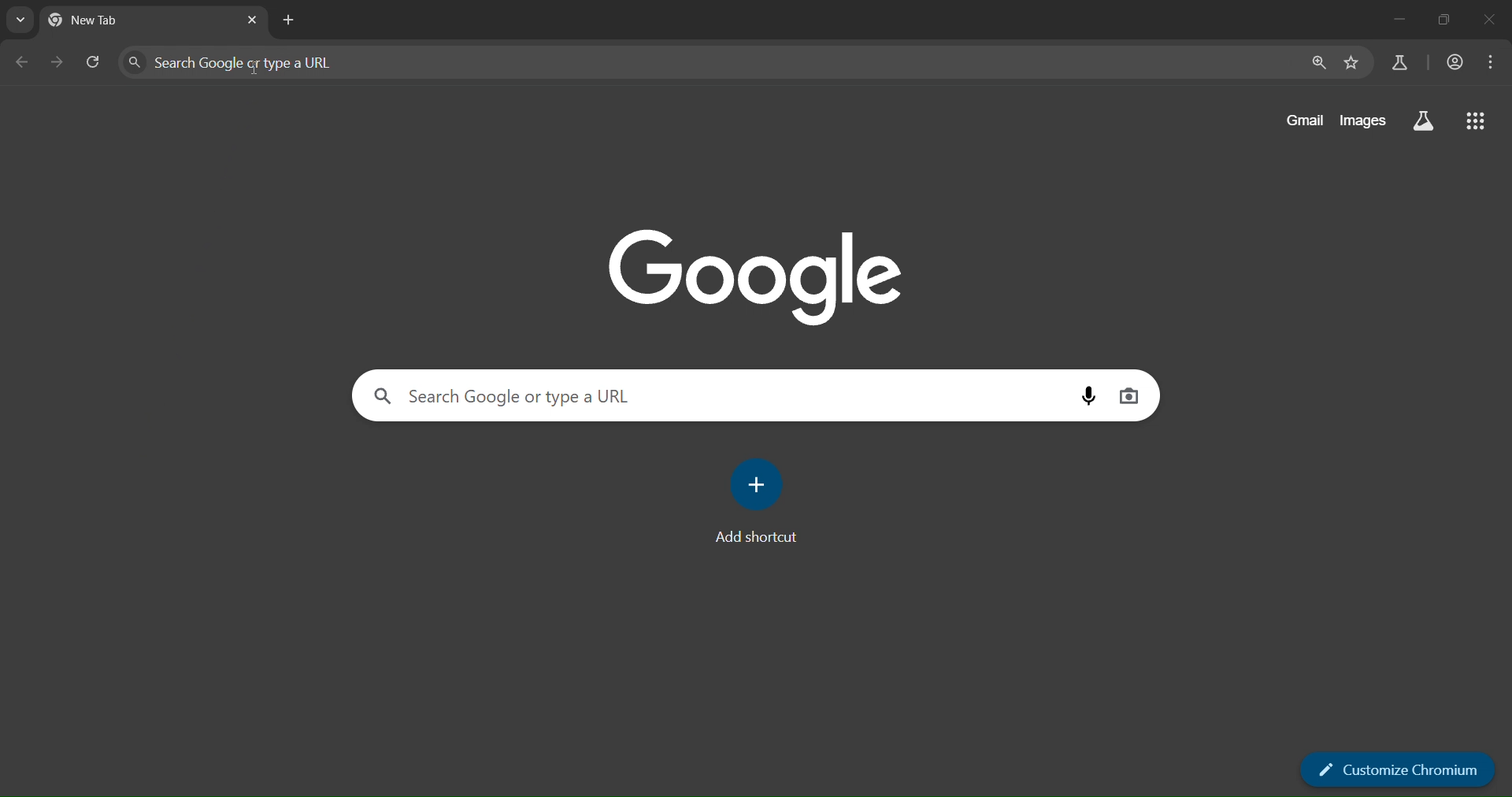 The height and width of the screenshot is (797, 1512). Describe the element at coordinates (255, 71) in the screenshot. I see `cursor` at that location.